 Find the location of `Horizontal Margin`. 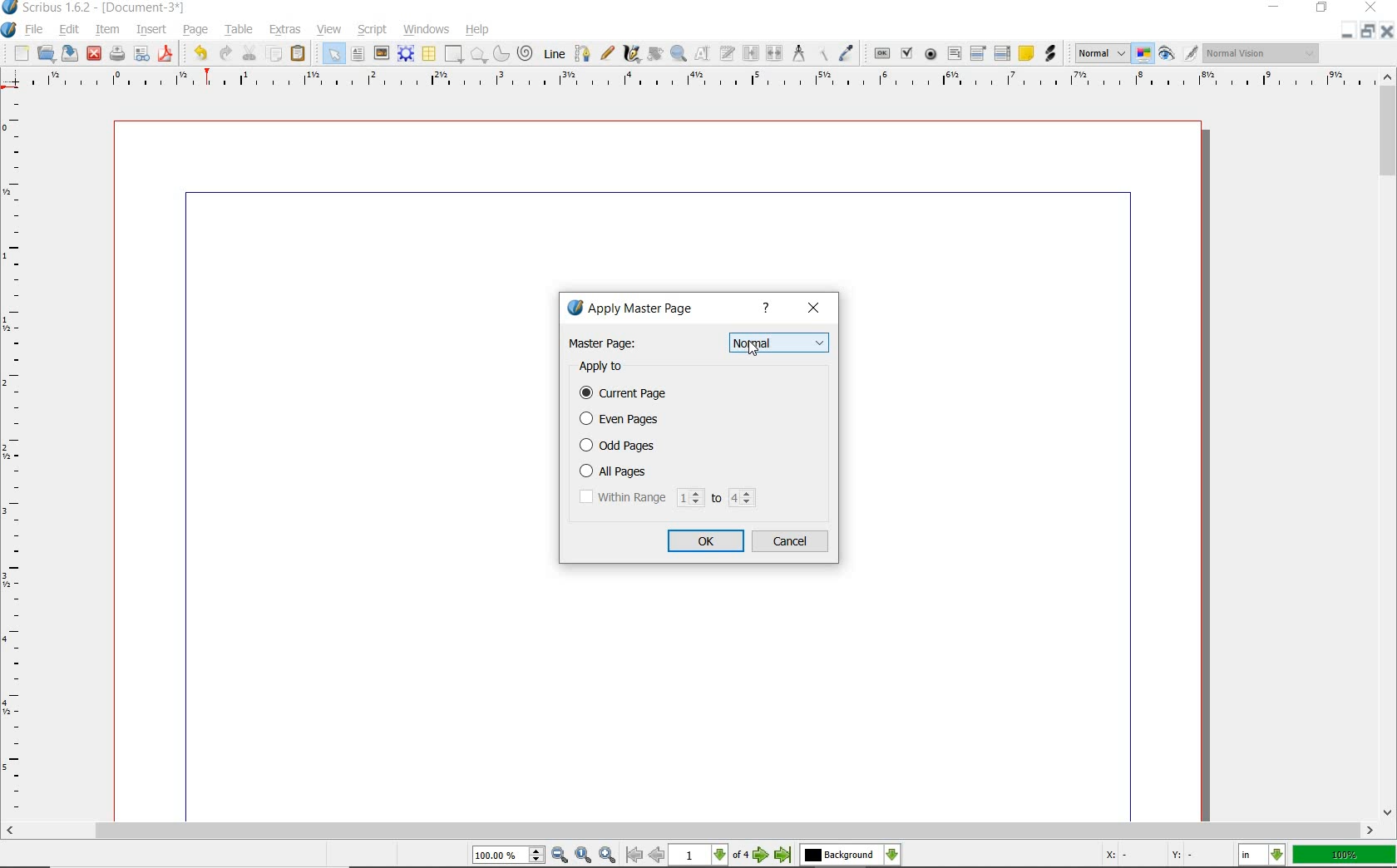

Horizontal Margin is located at coordinates (700, 81).